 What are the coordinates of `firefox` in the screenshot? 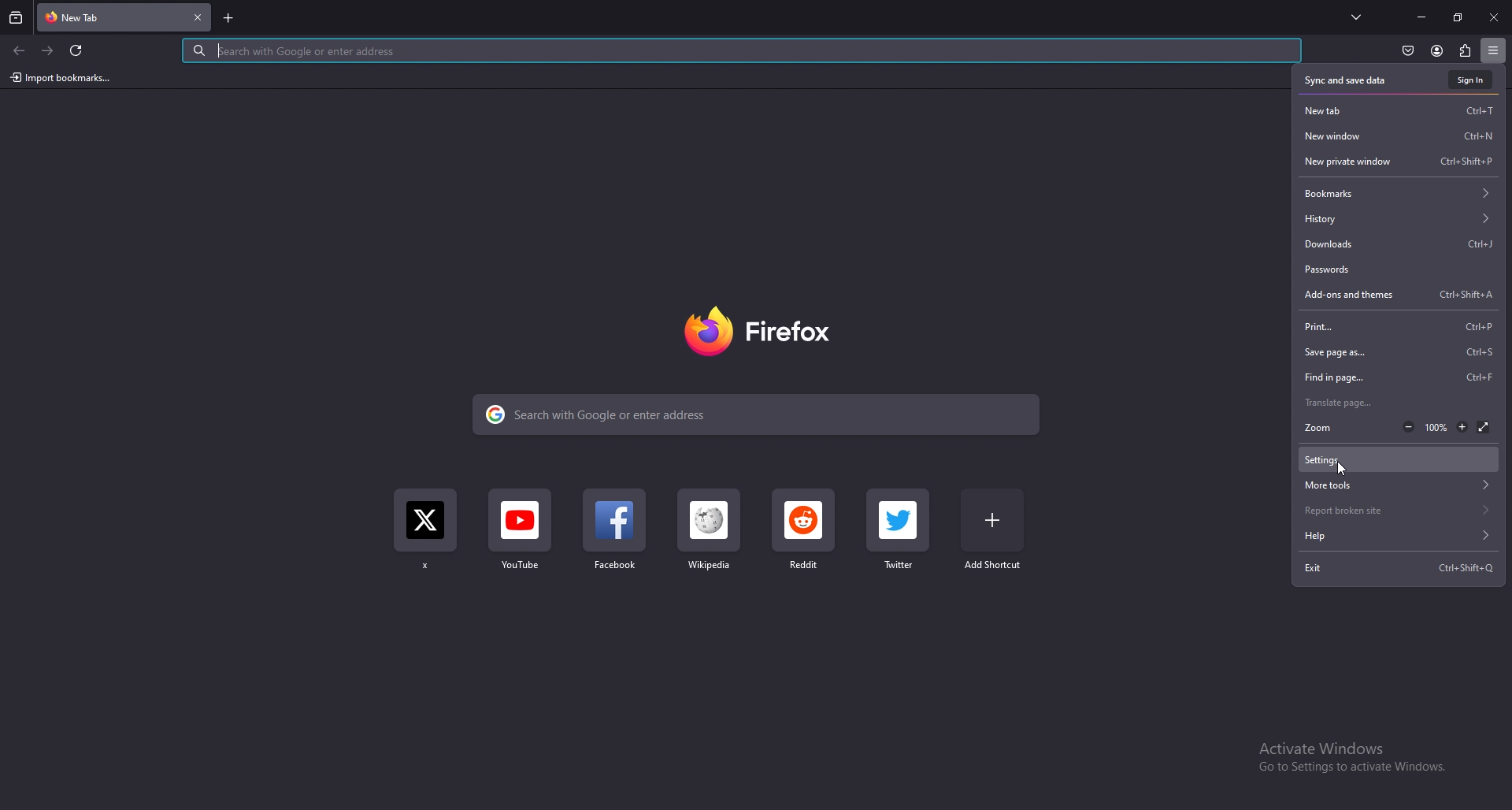 It's located at (762, 332).